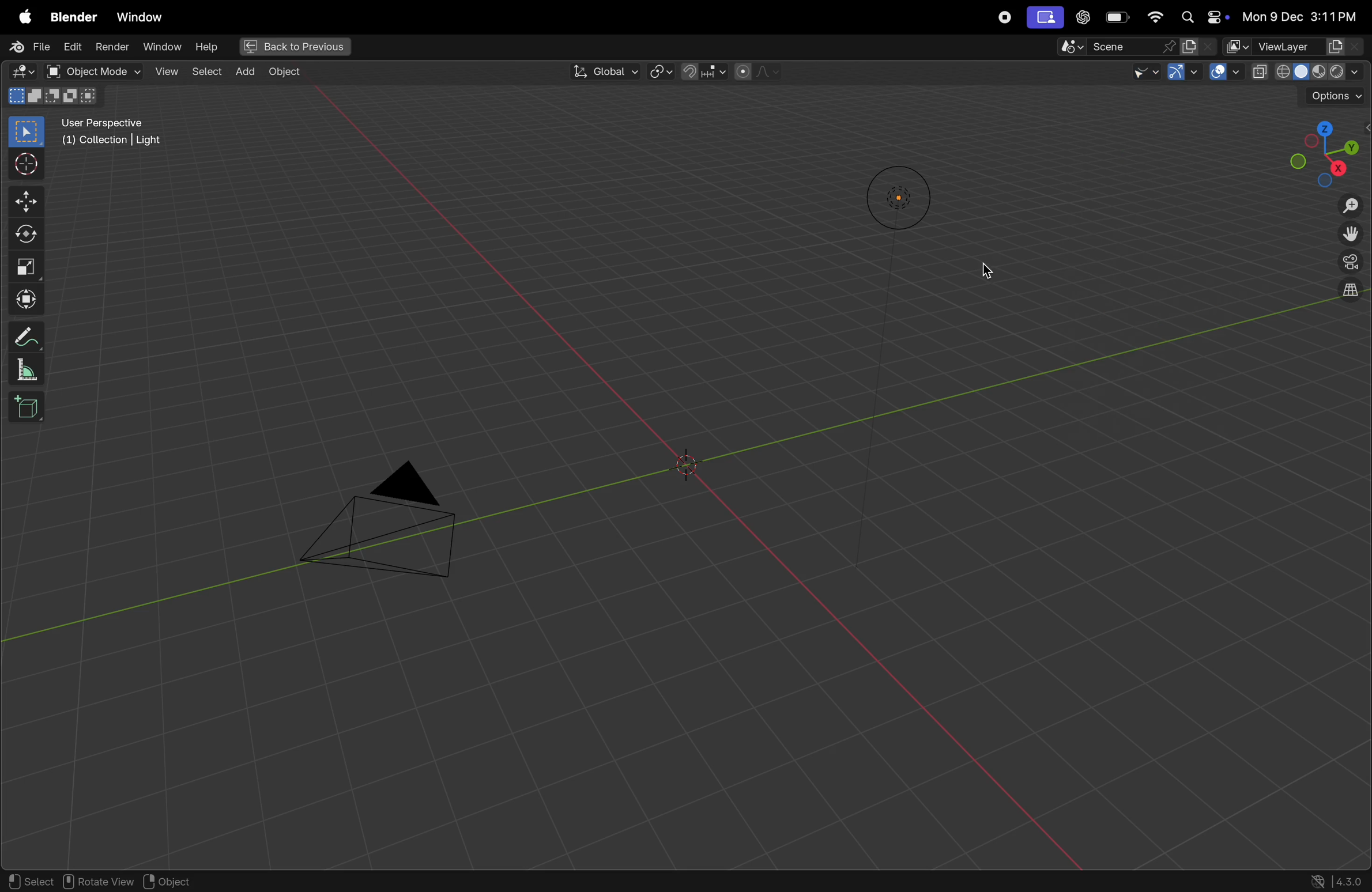 The width and height of the screenshot is (1372, 892). I want to click on hidden layers, so click(1344, 298).